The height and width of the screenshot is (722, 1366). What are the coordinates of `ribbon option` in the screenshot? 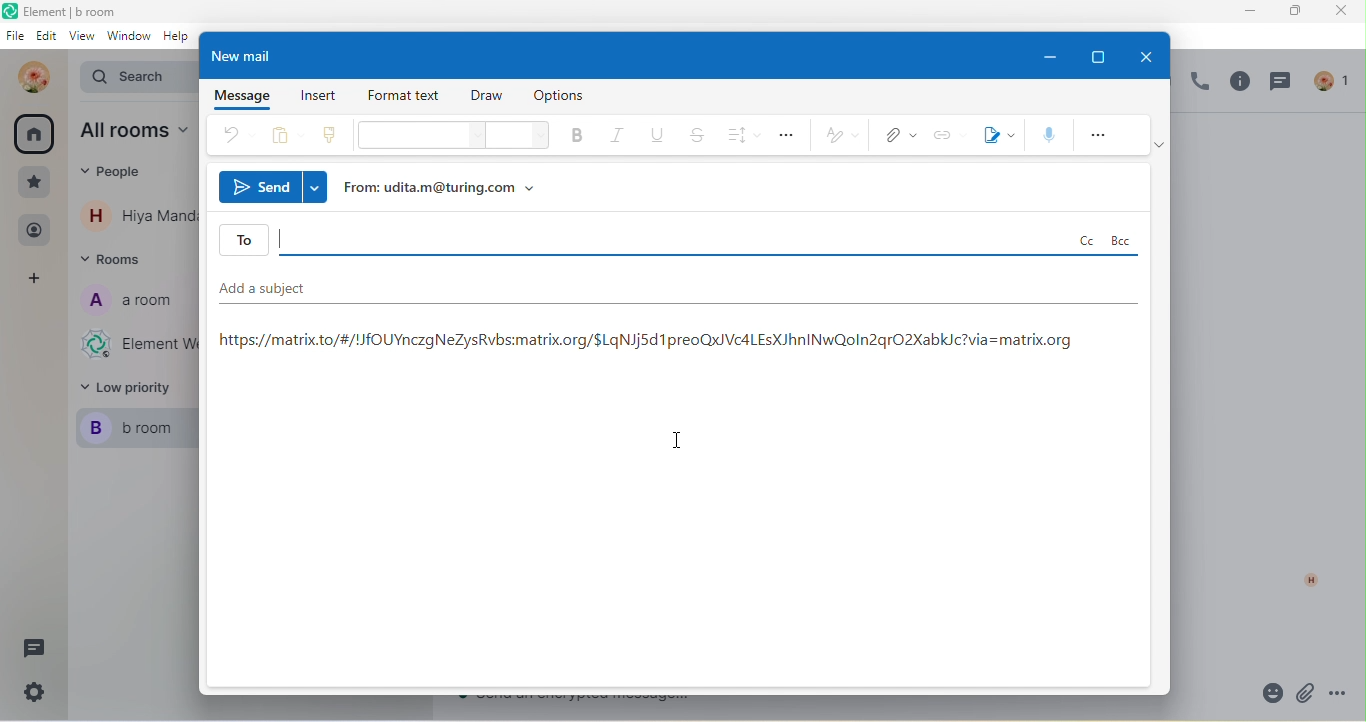 It's located at (1162, 151).